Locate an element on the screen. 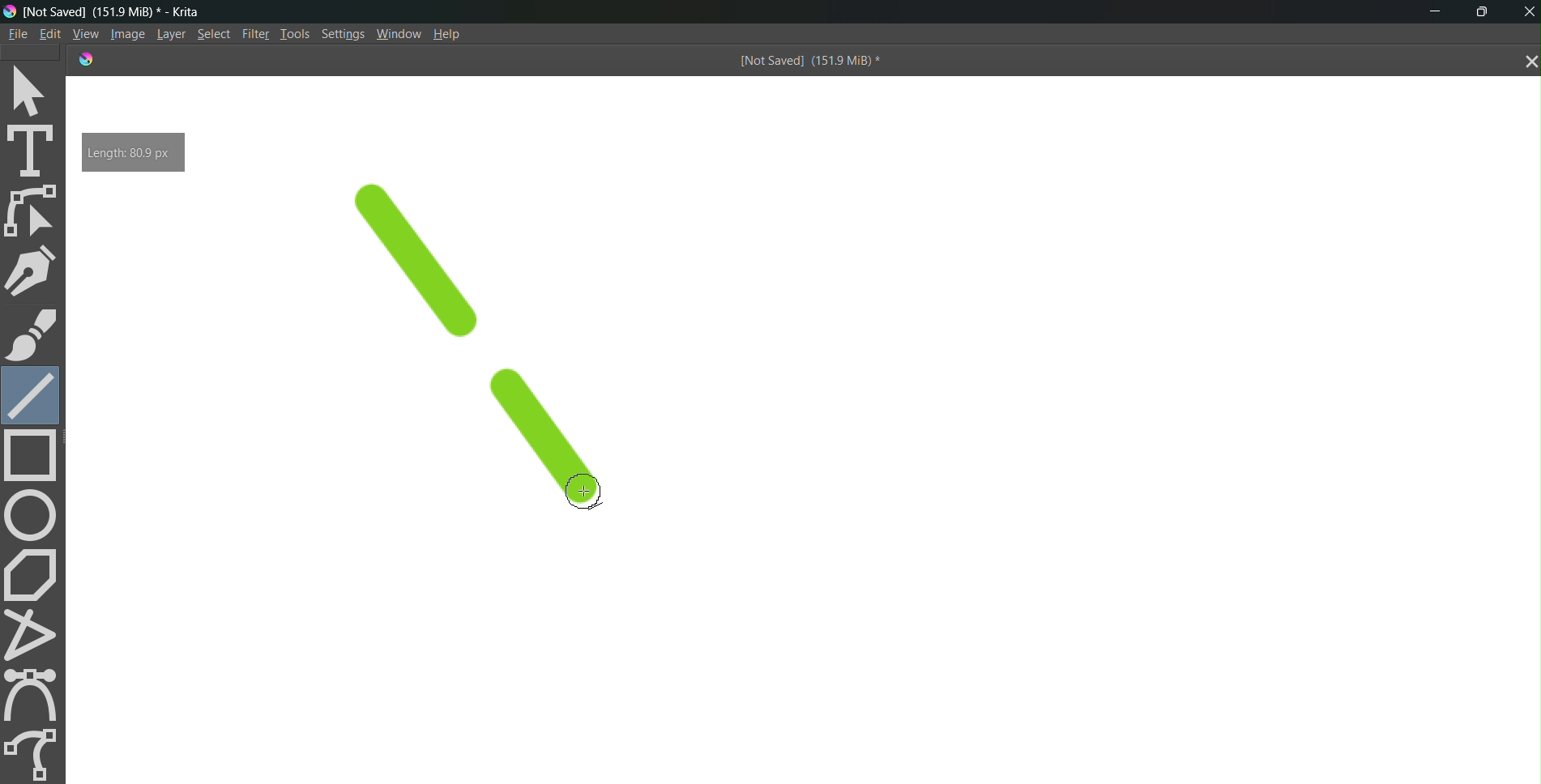 The height and width of the screenshot is (784, 1541). edit shape is located at coordinates (35, 211).